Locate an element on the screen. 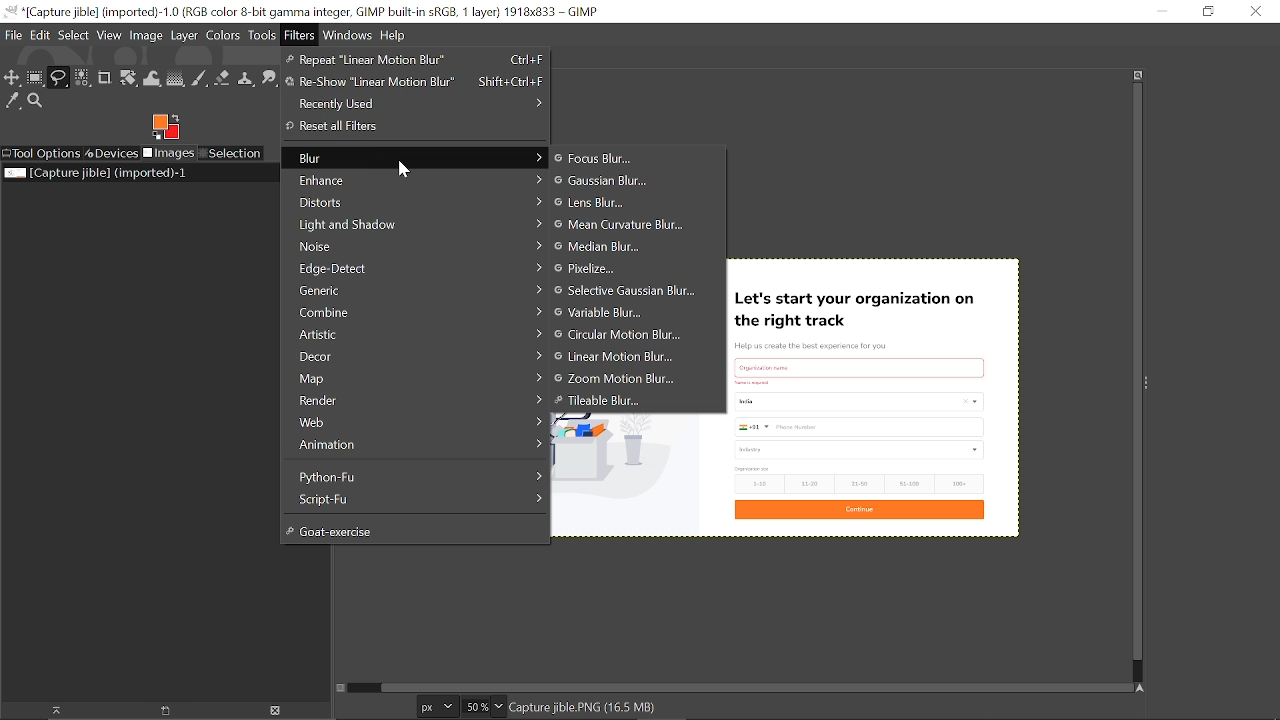 This screenshot has width=1280, height=720. restore down is located at coordinates (1207, 11).